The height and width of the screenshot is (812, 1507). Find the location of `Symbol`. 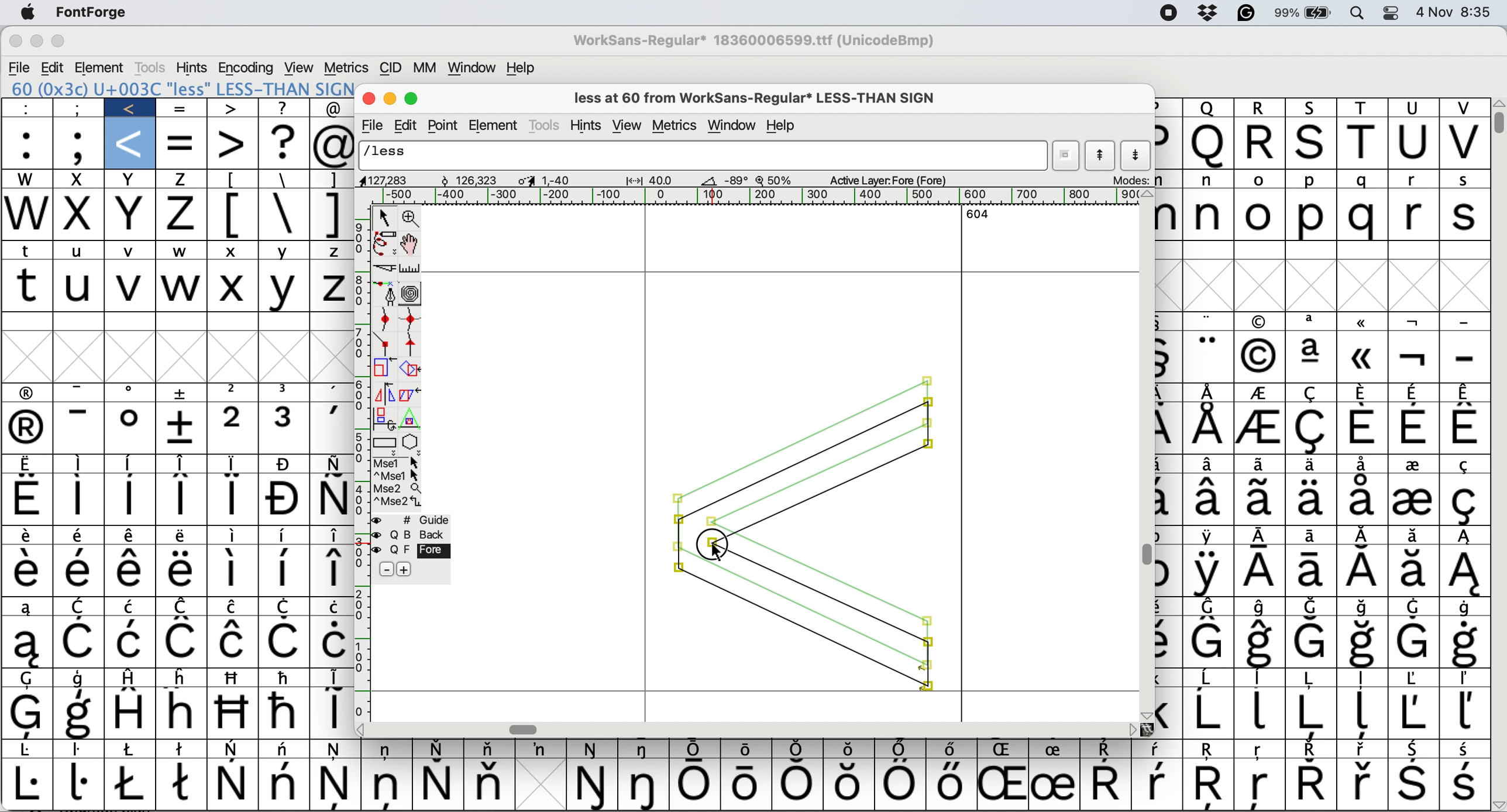

Symbol is located at coordinates (285, 536).